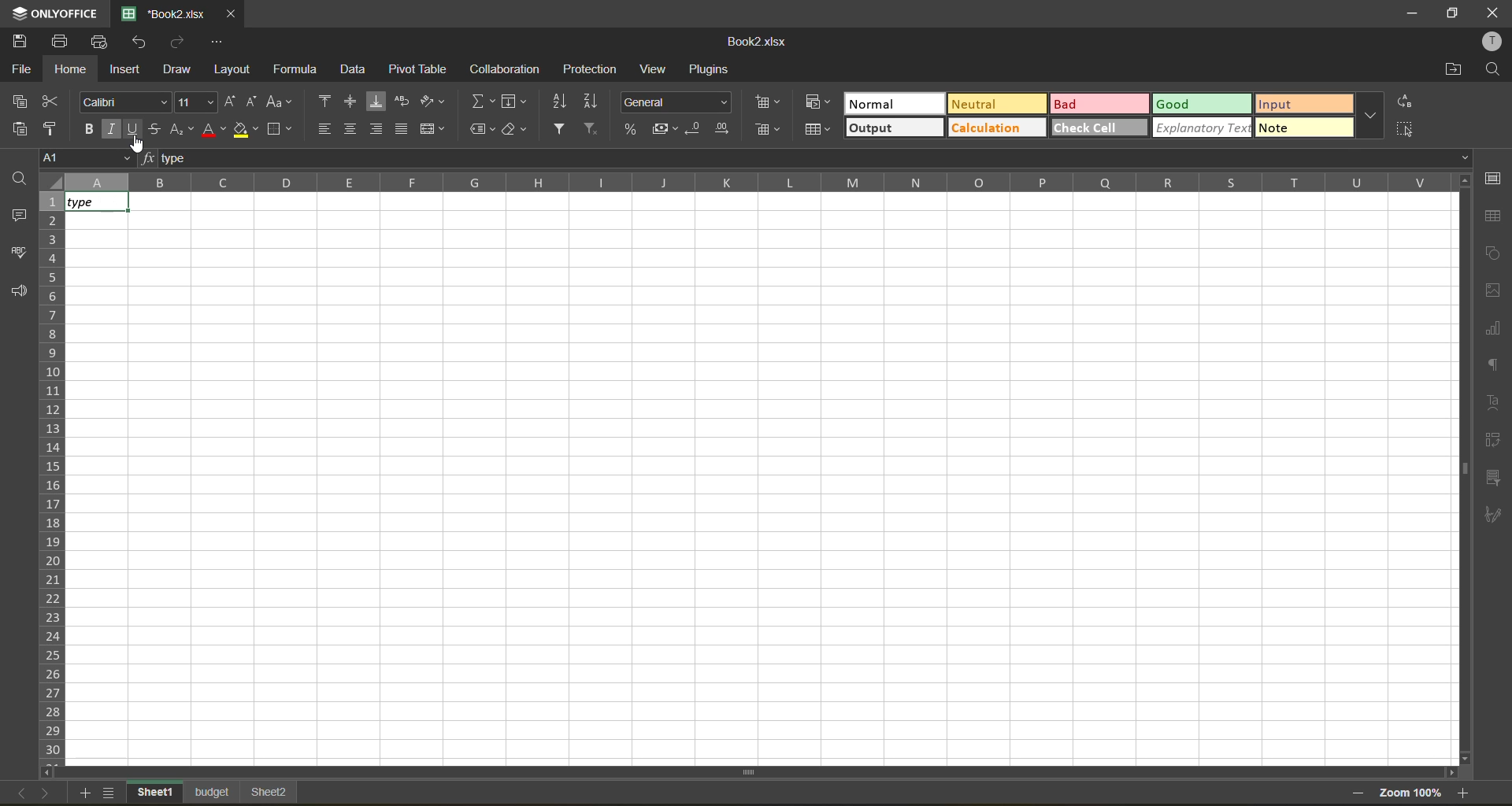 The width and height of the screenshot is (1512, 806). Describe the element at coordinates (137, 130) in the screenshot. I see `underline` at that location.